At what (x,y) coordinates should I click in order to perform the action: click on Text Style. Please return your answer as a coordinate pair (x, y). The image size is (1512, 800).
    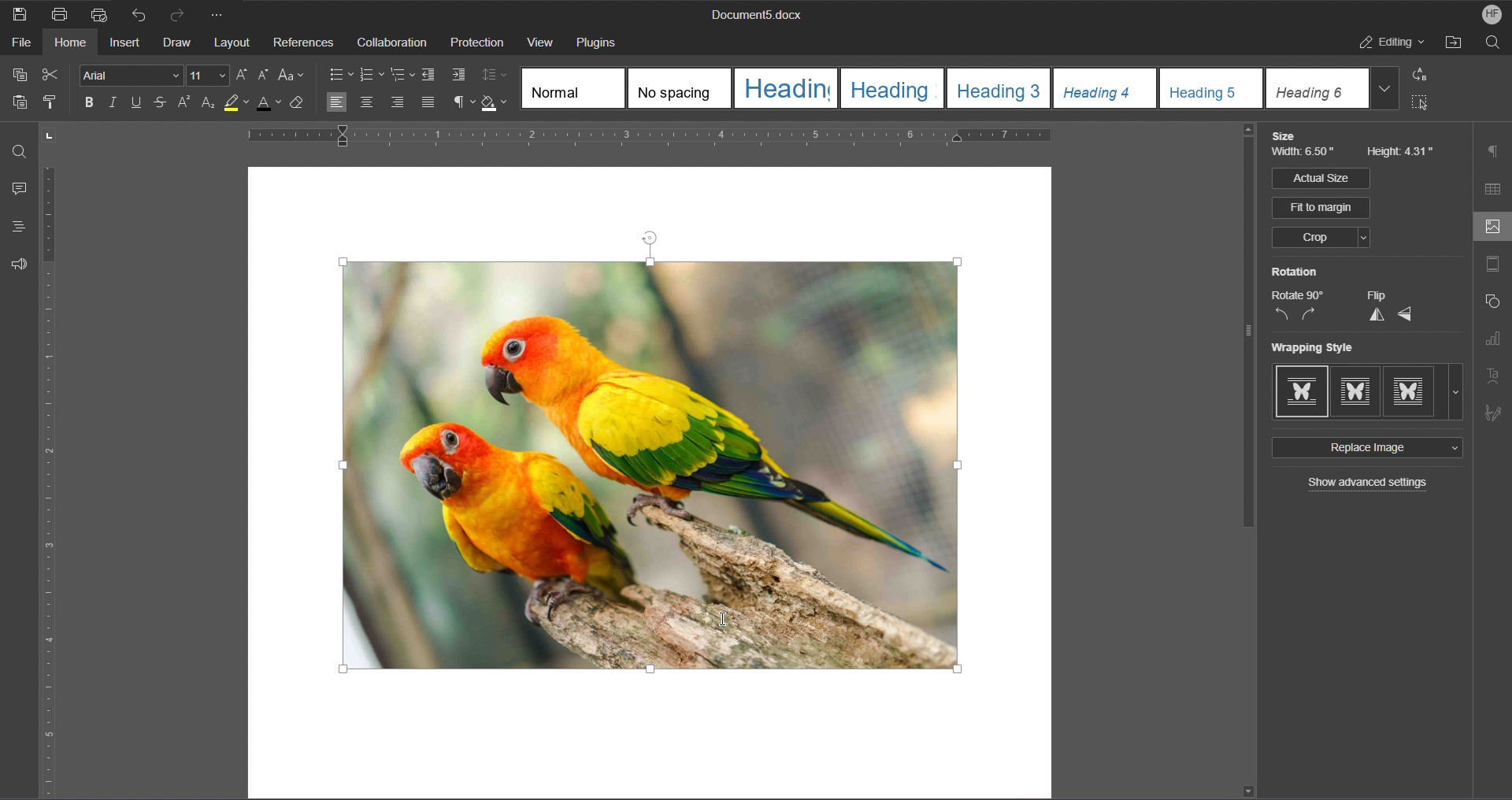
    Looking at the image, I should click on (962, 88).